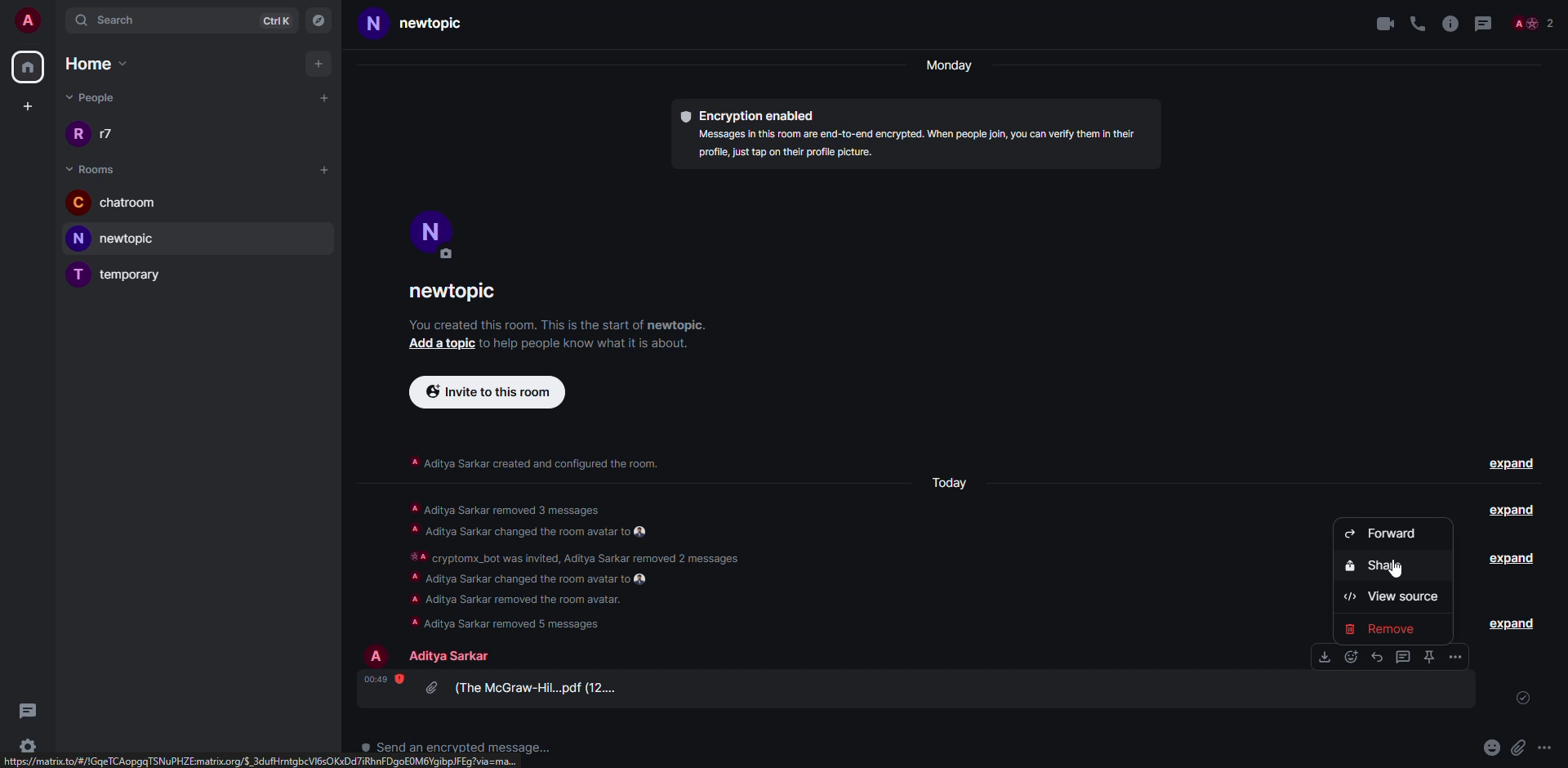  I want to click on emoji, so click(1352, 657).